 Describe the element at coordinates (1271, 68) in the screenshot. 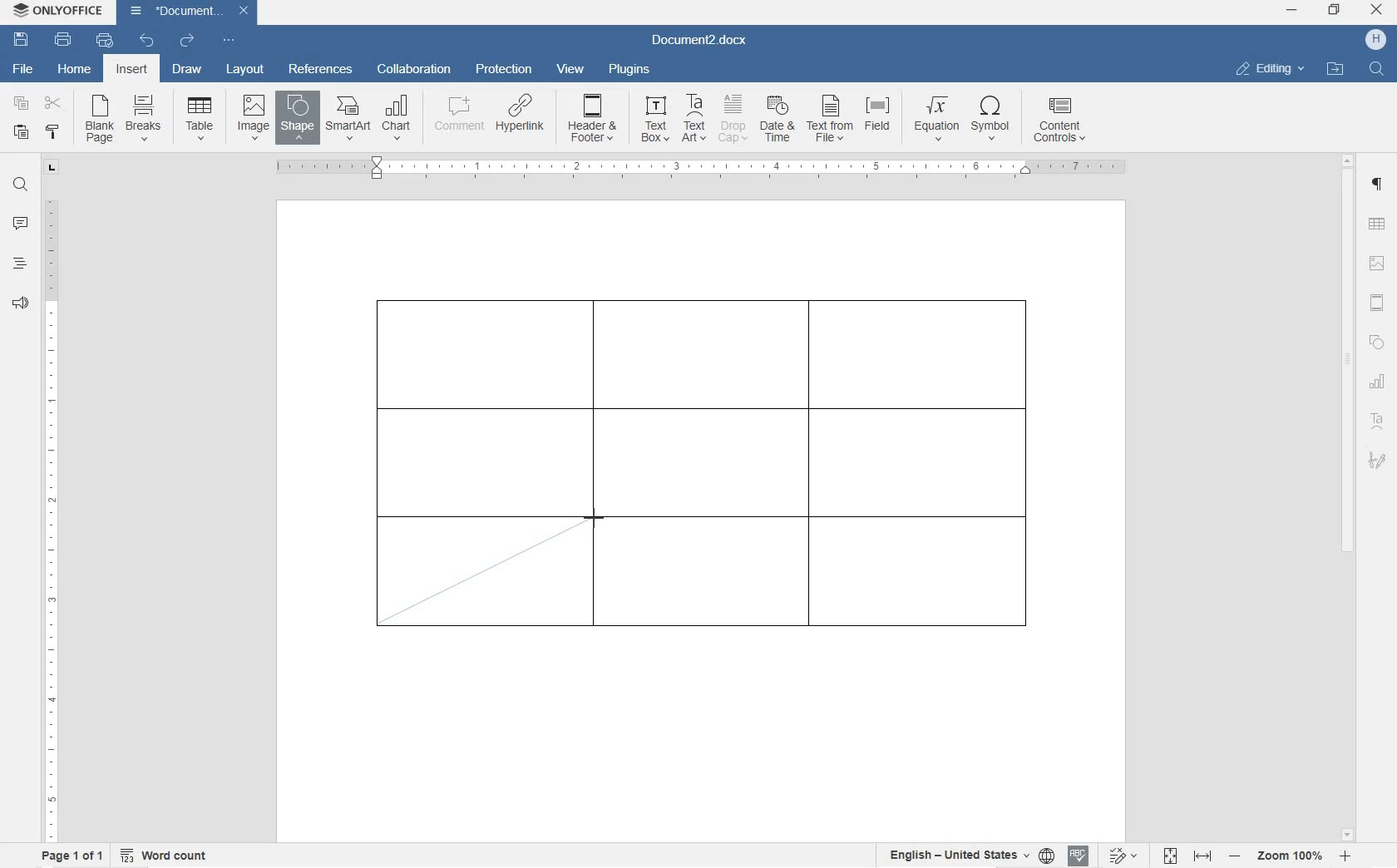

I see `EDITING` at that location.